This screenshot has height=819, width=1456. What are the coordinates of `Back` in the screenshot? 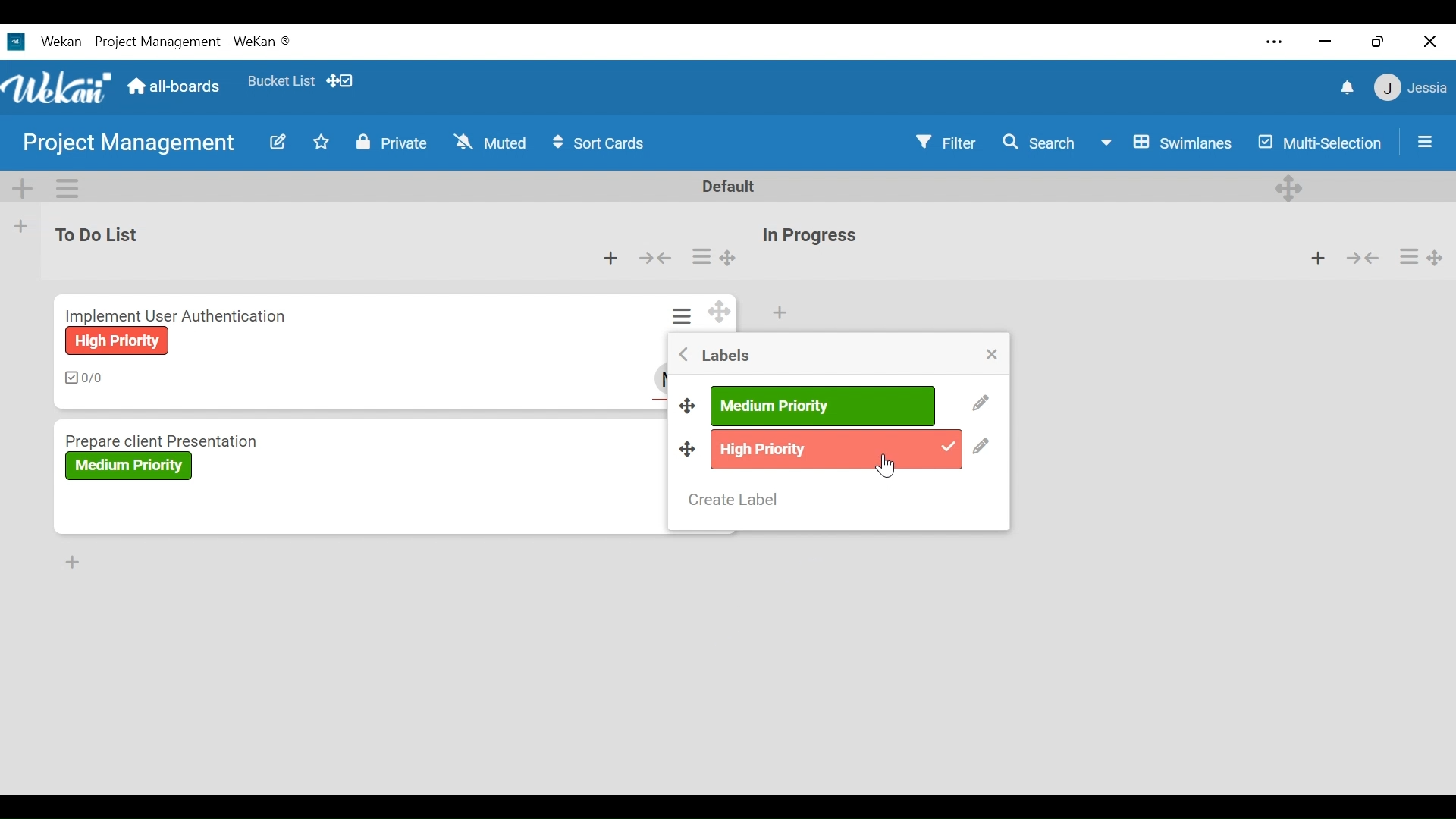 It's located at (684, 353).